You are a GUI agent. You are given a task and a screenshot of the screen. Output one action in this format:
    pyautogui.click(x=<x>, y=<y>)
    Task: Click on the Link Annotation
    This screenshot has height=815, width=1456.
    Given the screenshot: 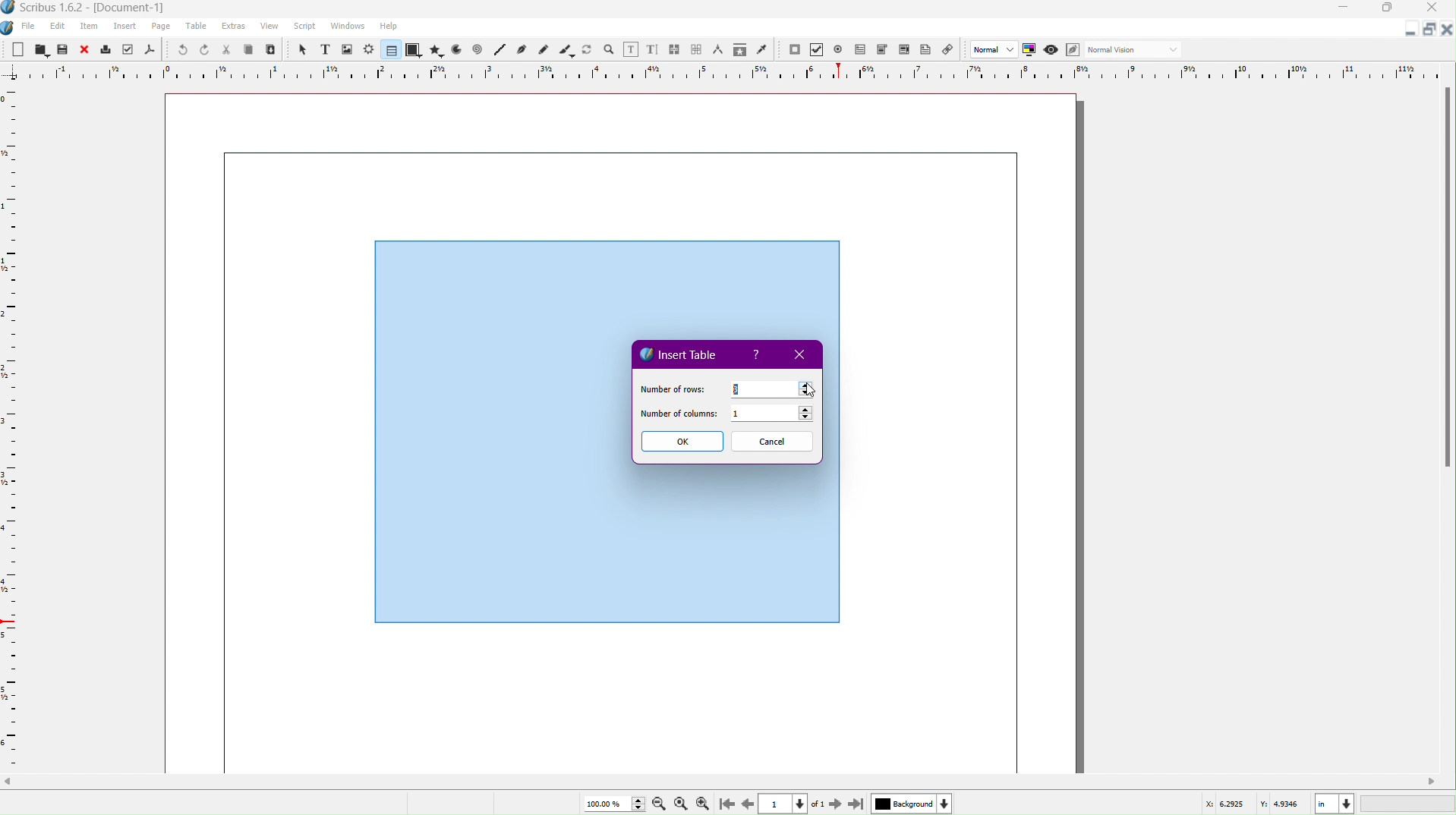 What is the action you would take?
    pyautogui.click(x=952, y=51)
    